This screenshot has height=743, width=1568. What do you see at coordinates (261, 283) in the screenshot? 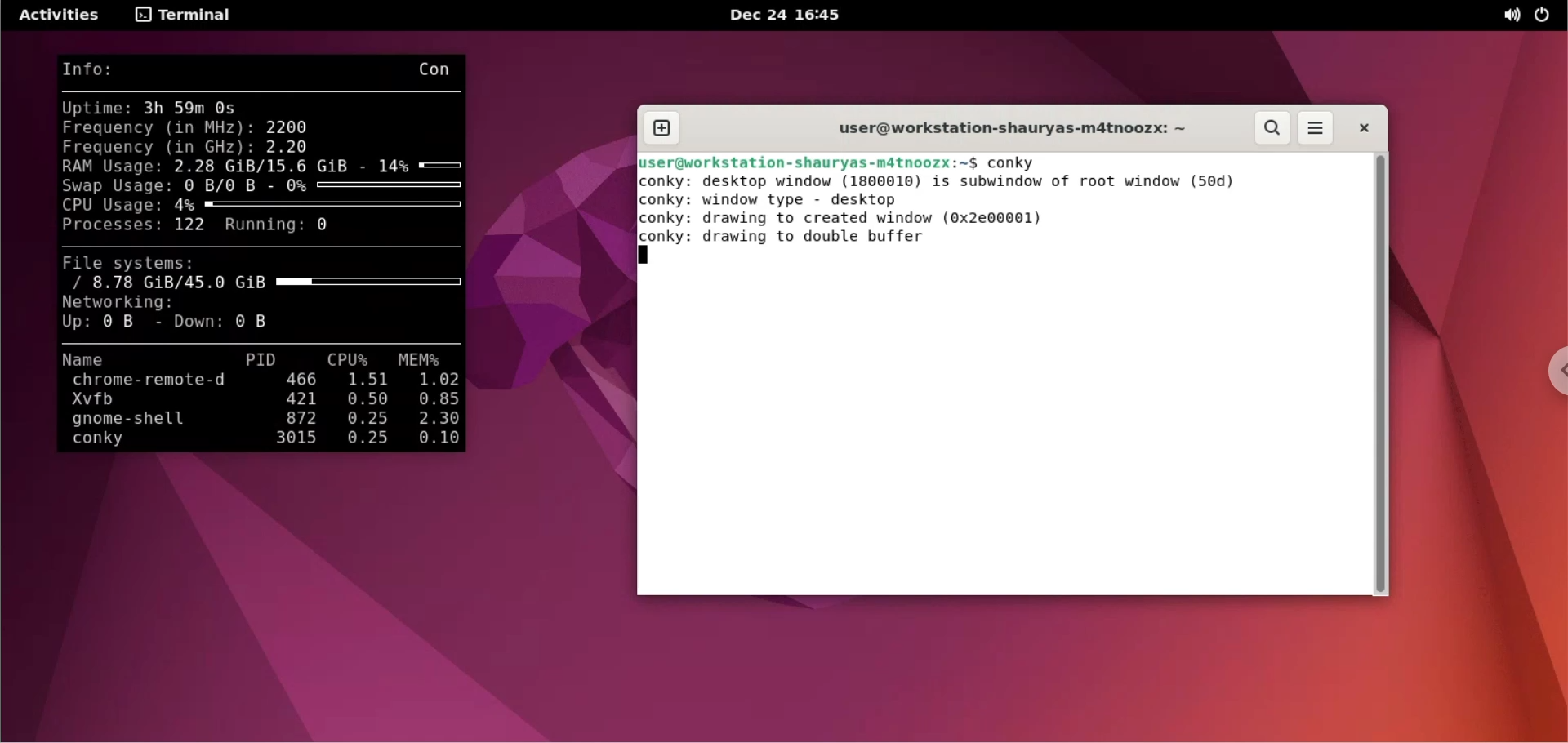
I see `8.78 GiB/45.0 GiB` at bounding box center [261, 283].